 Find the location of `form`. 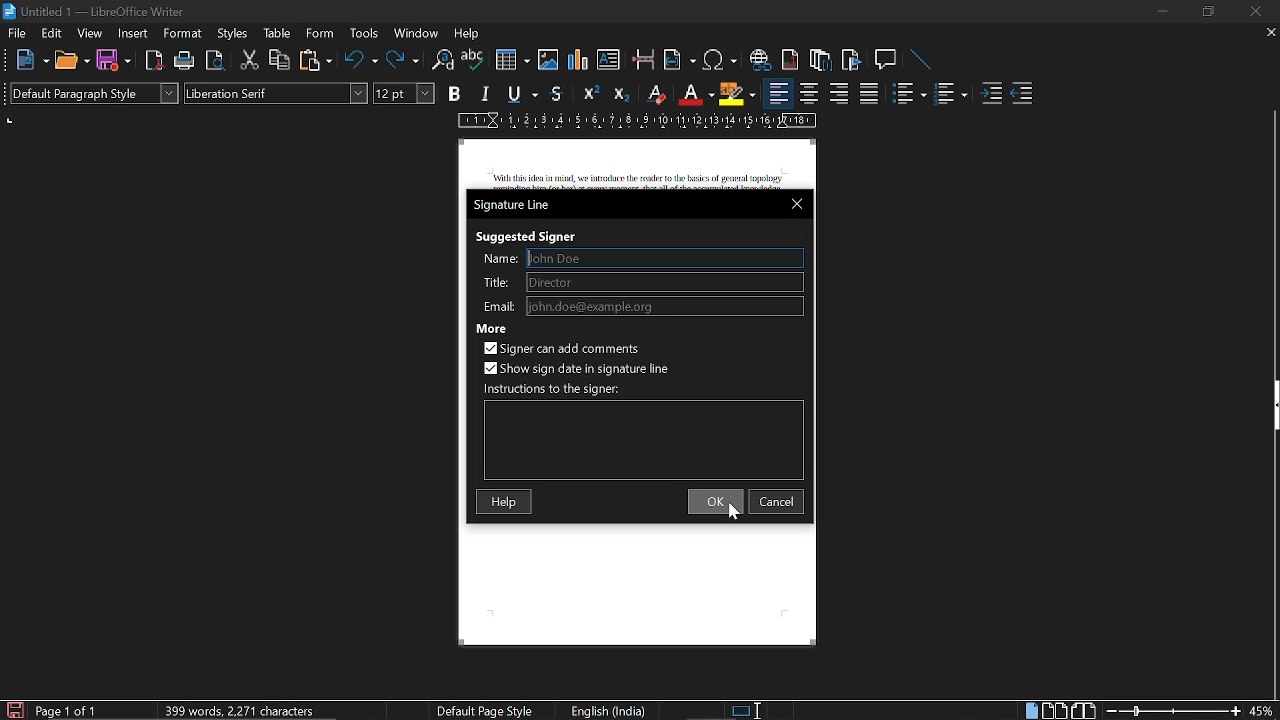

form is located at coordinates (323, 34).